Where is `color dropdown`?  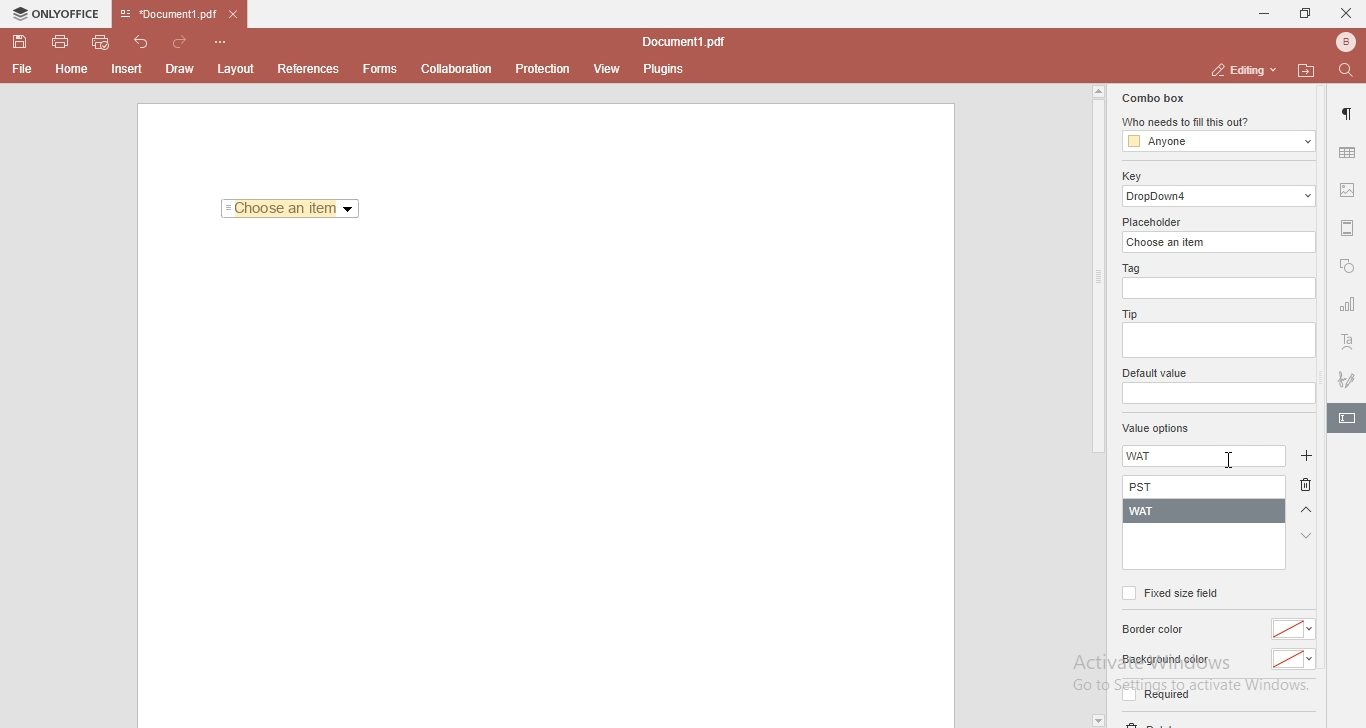 color dropdown is located at coordinates (1294, 660).